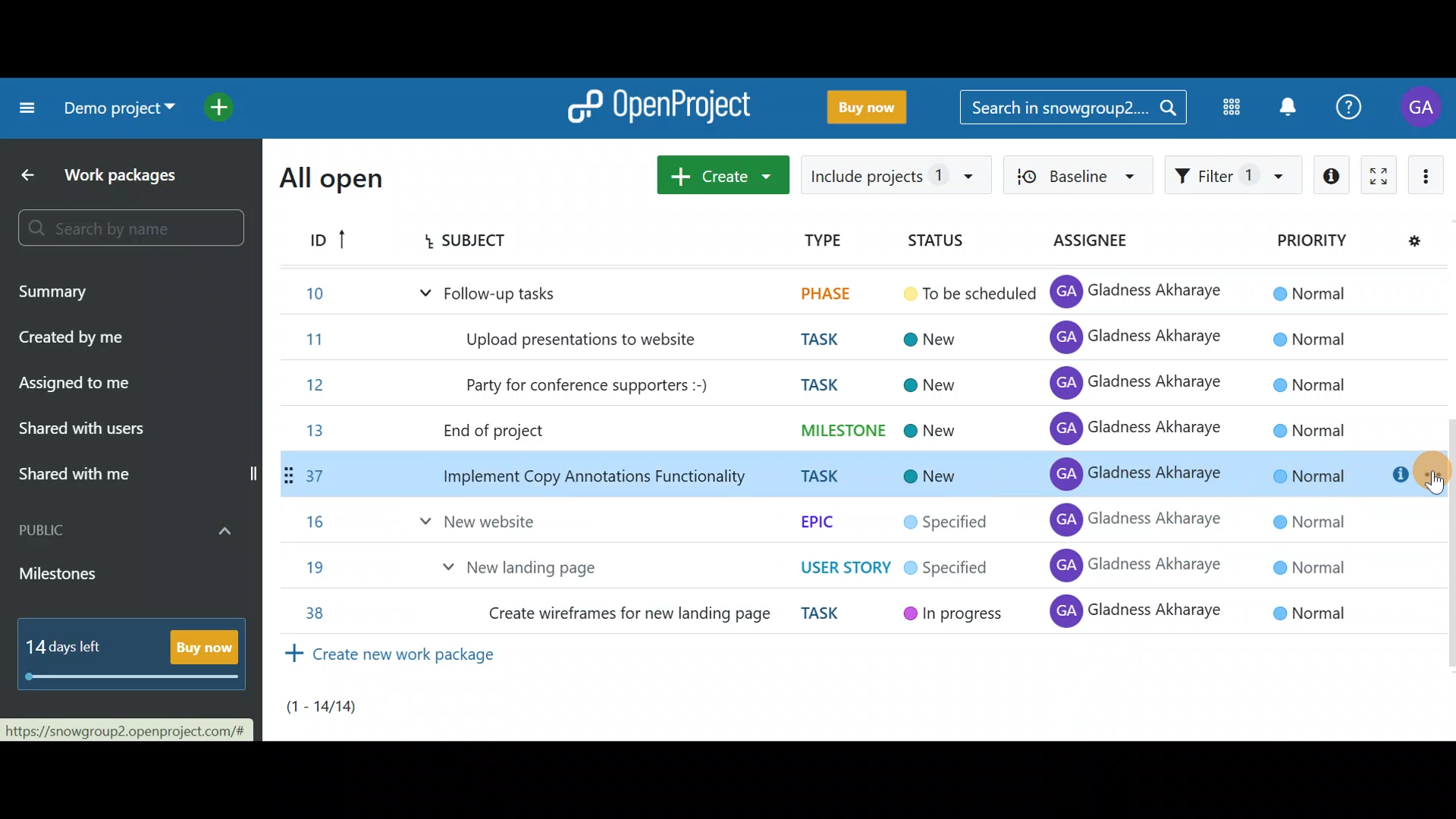  Describe the element at coordinates (340, 178) in the screenshot. I see `All open` at that location.